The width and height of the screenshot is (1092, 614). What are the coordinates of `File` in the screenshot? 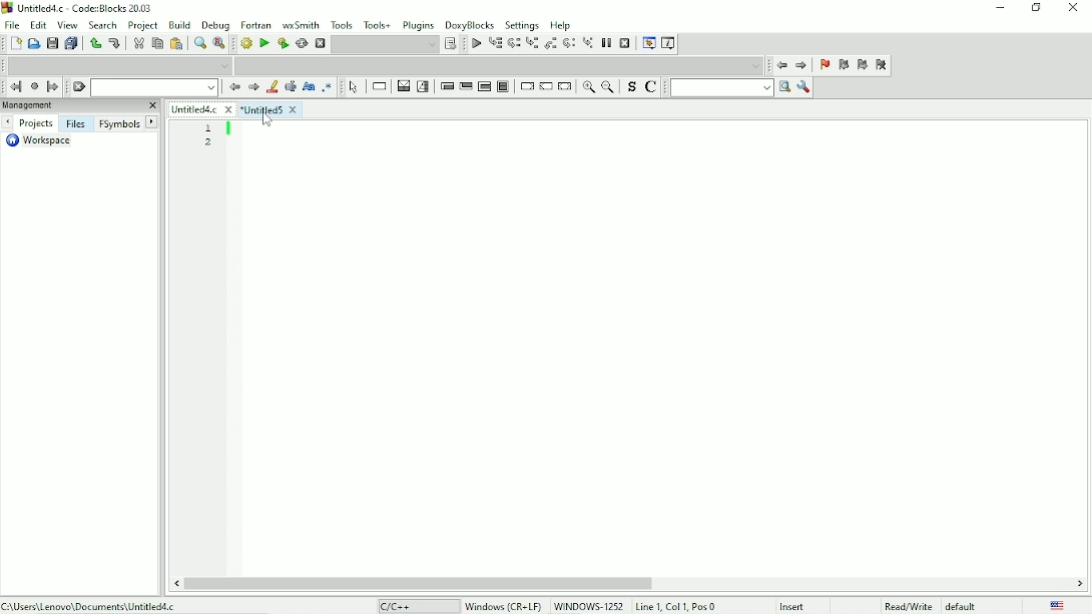 It's located at (12, 25).